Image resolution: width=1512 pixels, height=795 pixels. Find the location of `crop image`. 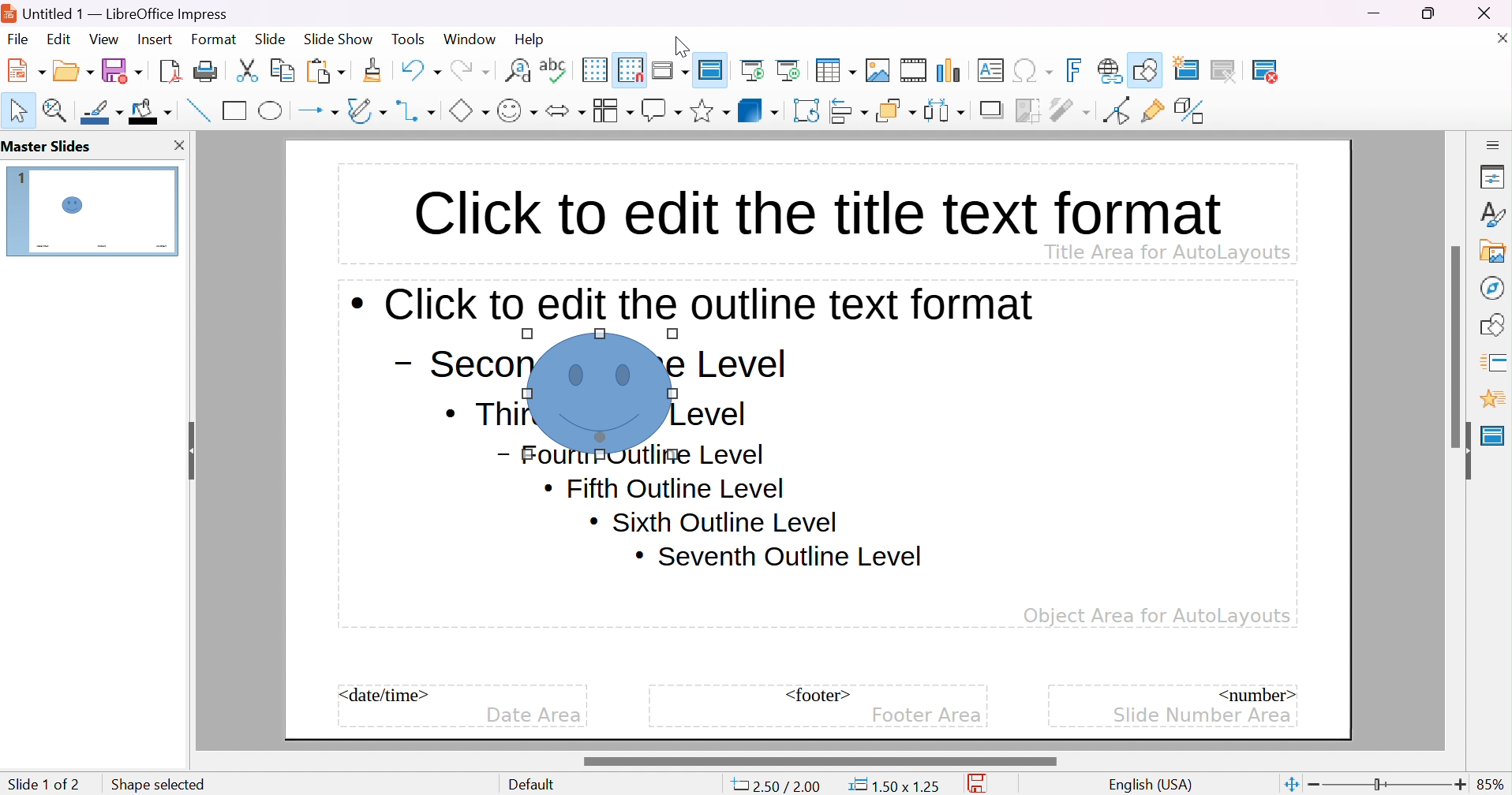

crop image is located at coordinates (1029, 110).